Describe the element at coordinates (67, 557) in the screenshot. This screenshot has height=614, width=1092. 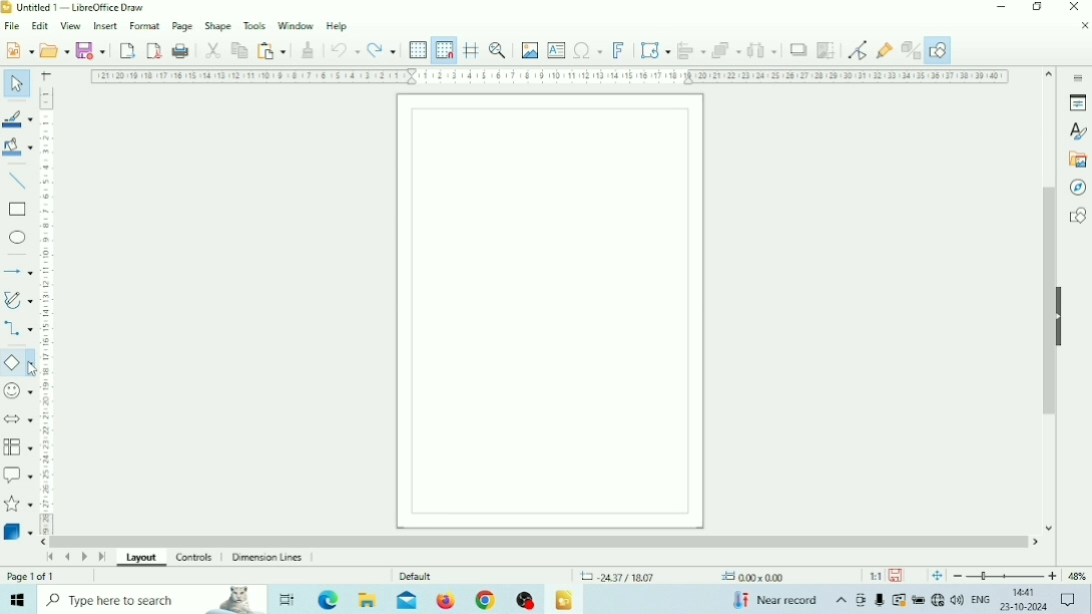
I see `Scroll to previous page` at that location.